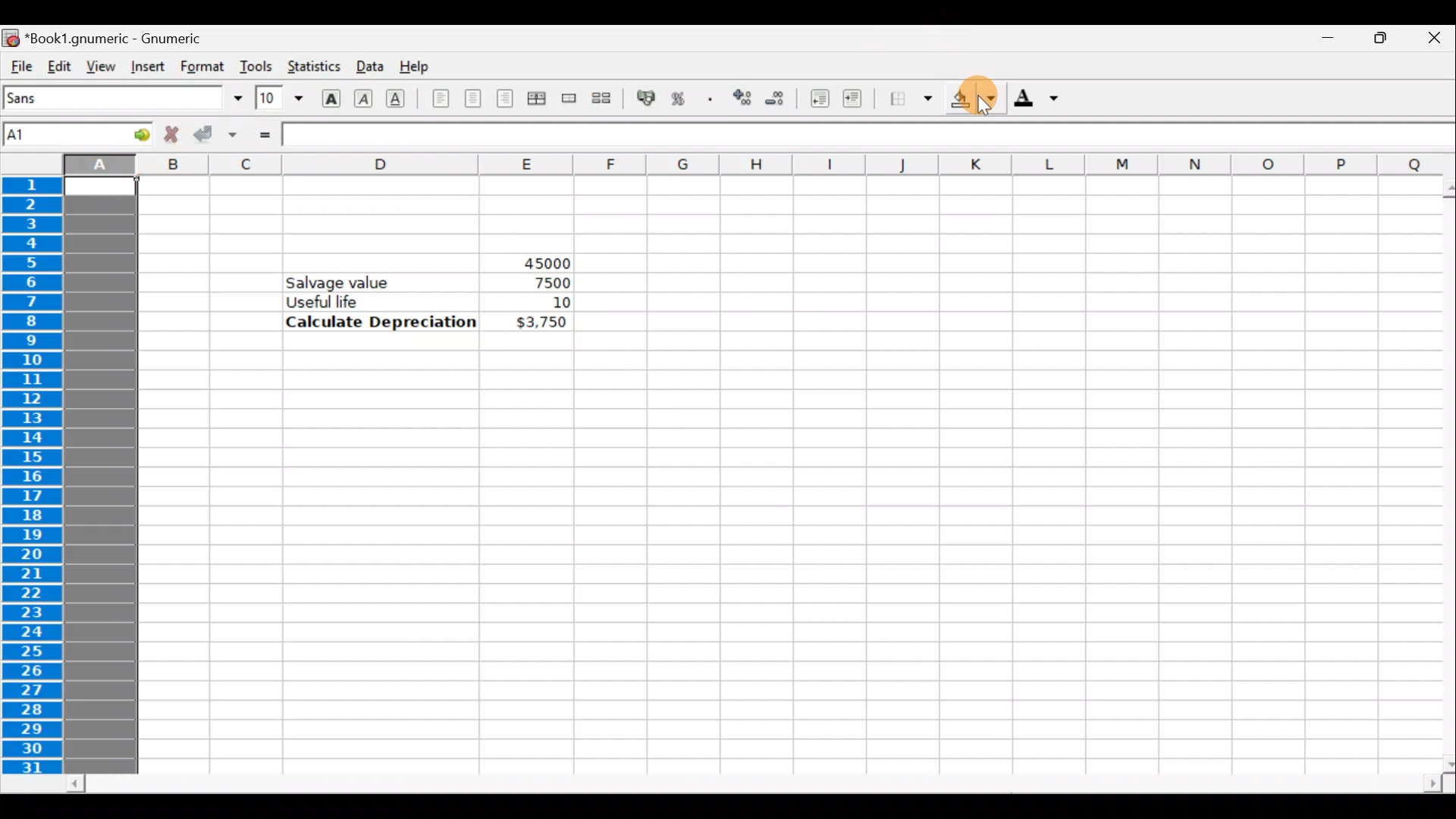 The height and width of the screenshot is (819, 1456). Describe the element at coordinates (441, 99) in the screenshot. I see `Align left` at that location.